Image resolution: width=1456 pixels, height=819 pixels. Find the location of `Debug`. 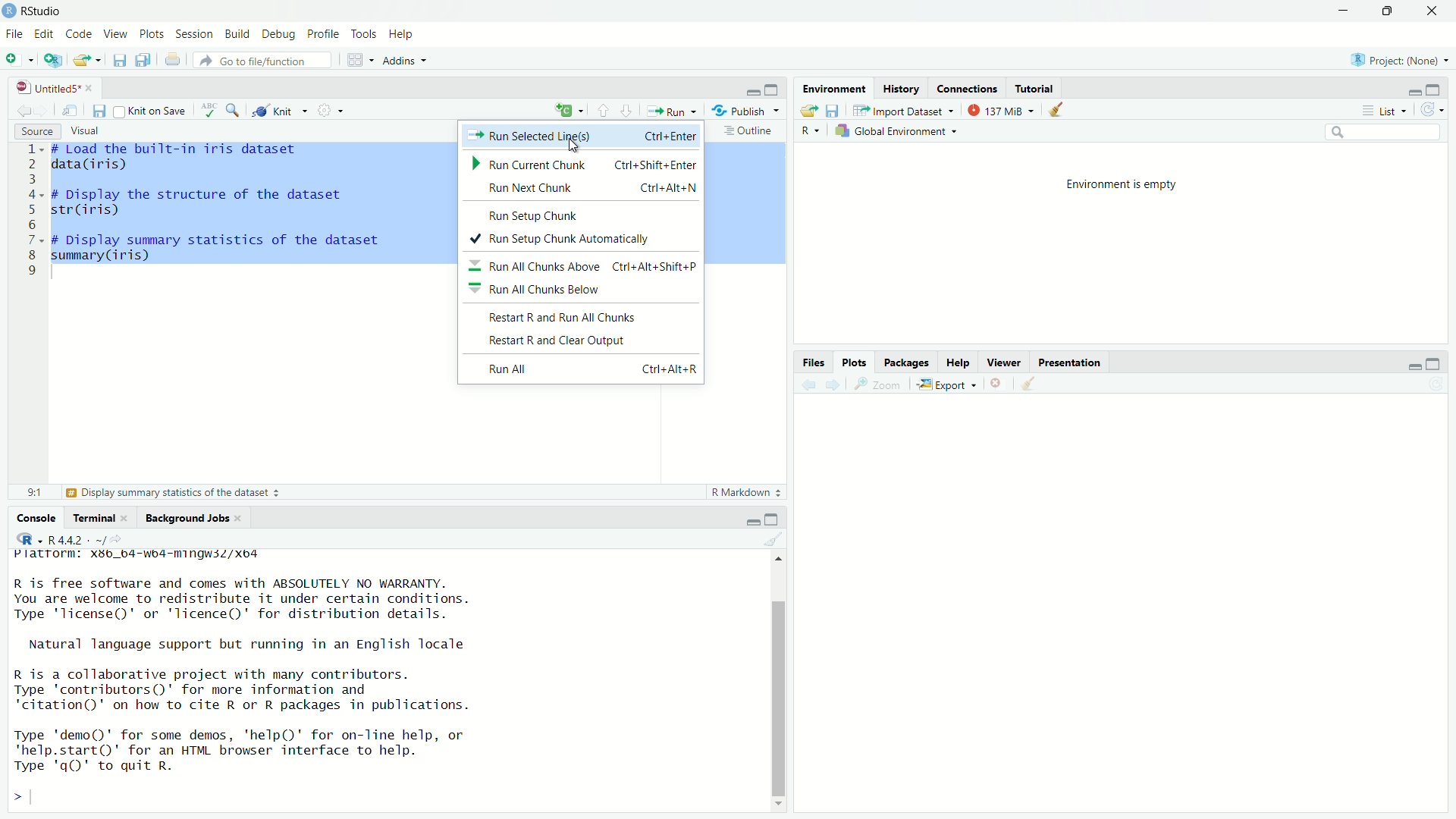

Debug is located at coordinates (280, 34).